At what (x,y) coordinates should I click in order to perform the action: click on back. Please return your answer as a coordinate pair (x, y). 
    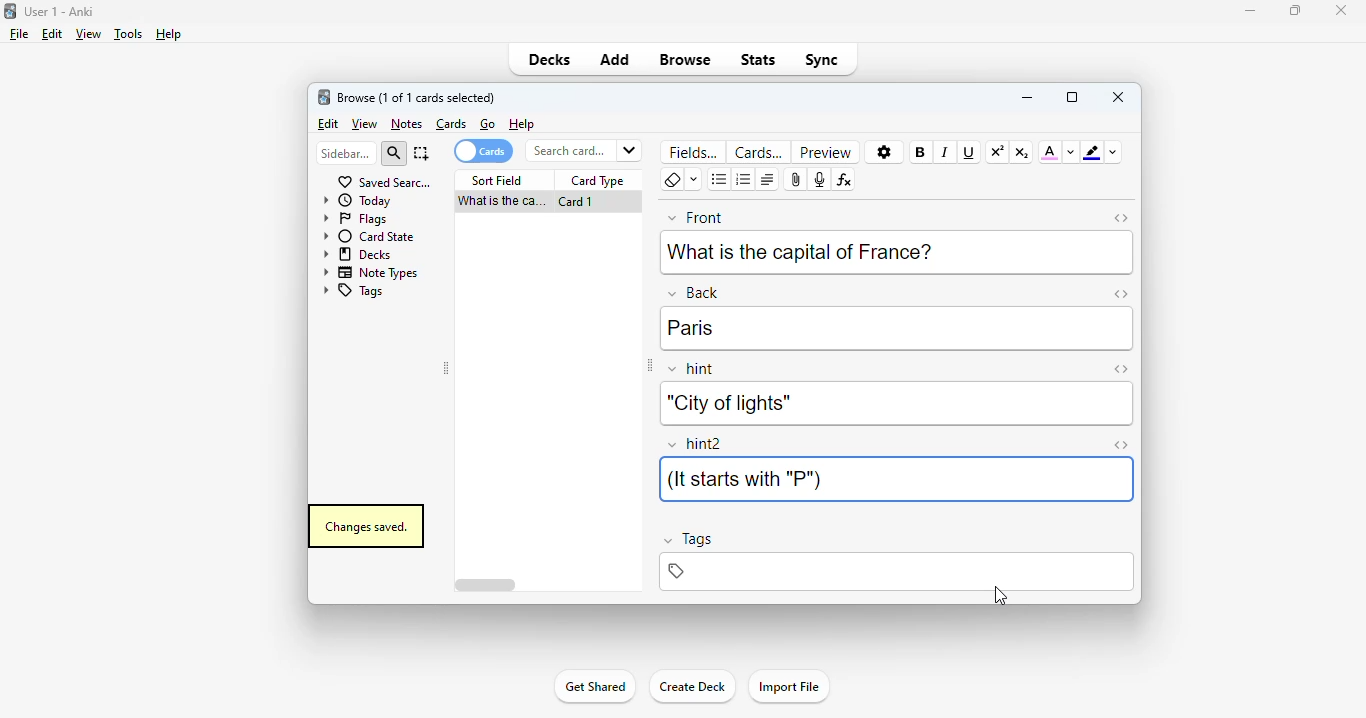
    Looking at the image, I should click on (693, 292).